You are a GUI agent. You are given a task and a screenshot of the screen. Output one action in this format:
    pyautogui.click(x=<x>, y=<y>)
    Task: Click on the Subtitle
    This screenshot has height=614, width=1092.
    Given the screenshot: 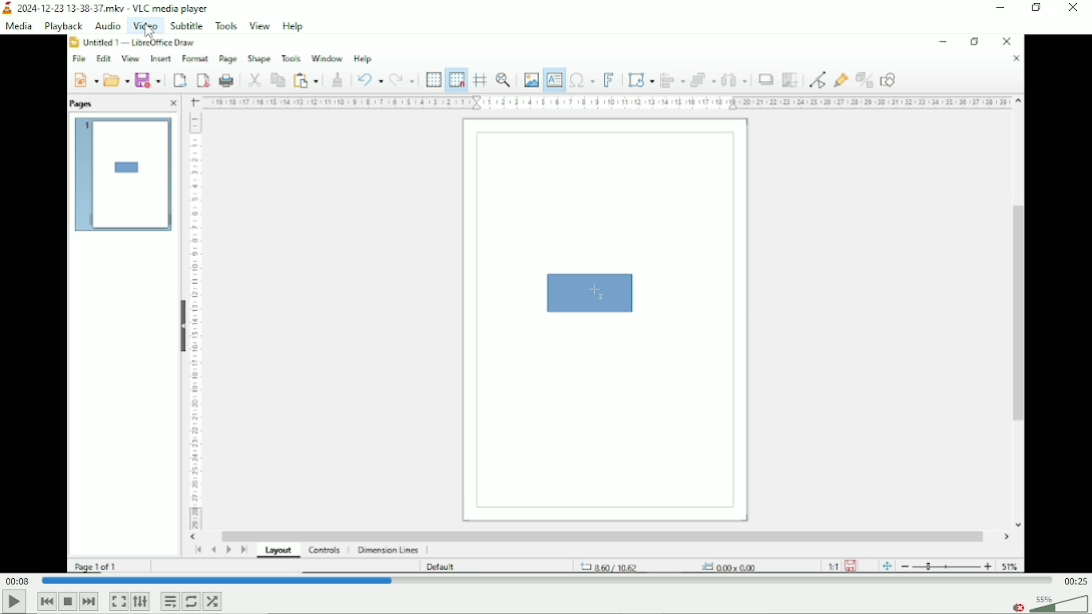 What is the action you would take?
    pyautogui.click(x=185, y=26)
    